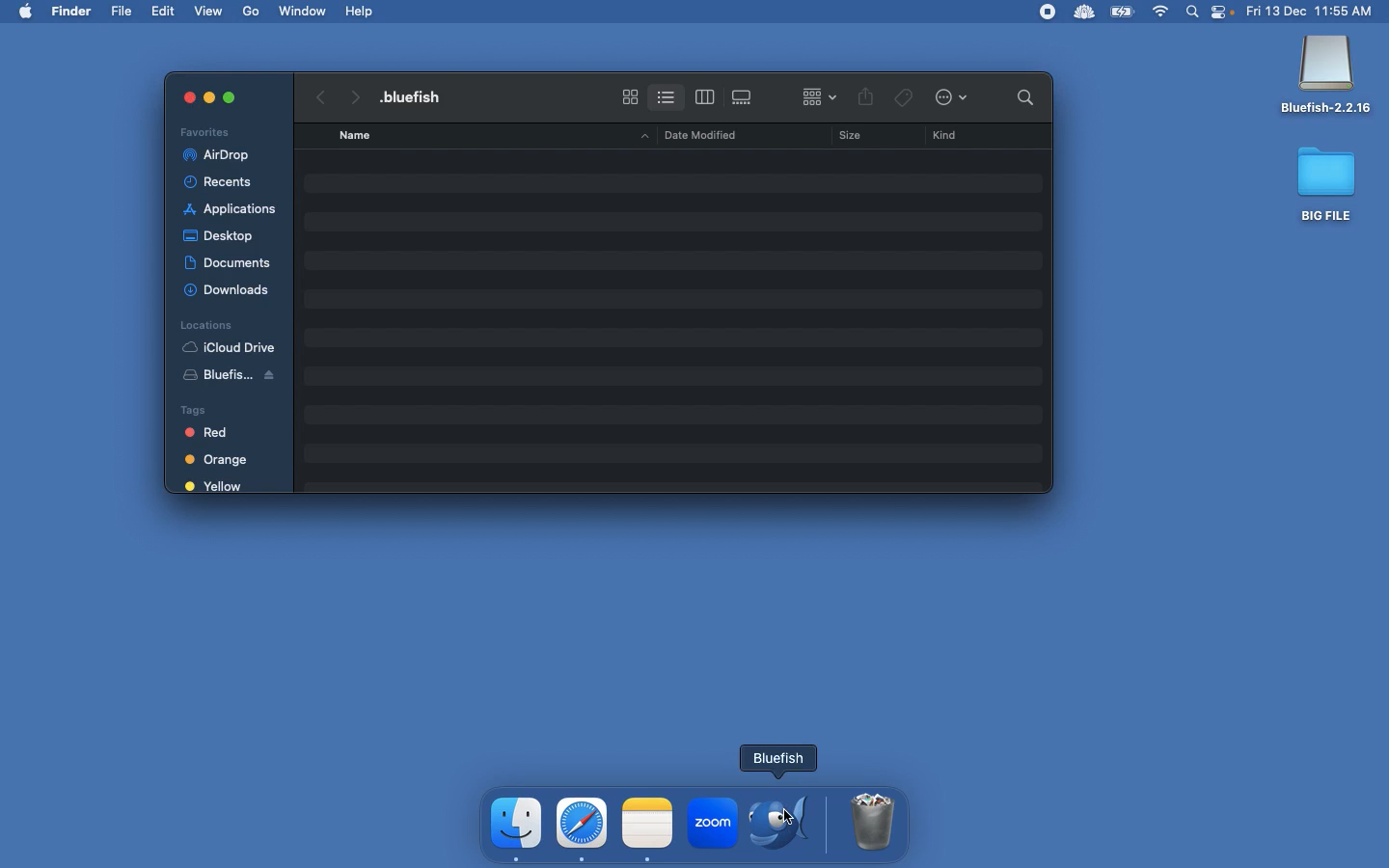 Image resolution: width=1389 pixels, height=868 pixels. Describe the element at coordinates (777, 758) in the screenshot. I see `Bluefish` at that location.